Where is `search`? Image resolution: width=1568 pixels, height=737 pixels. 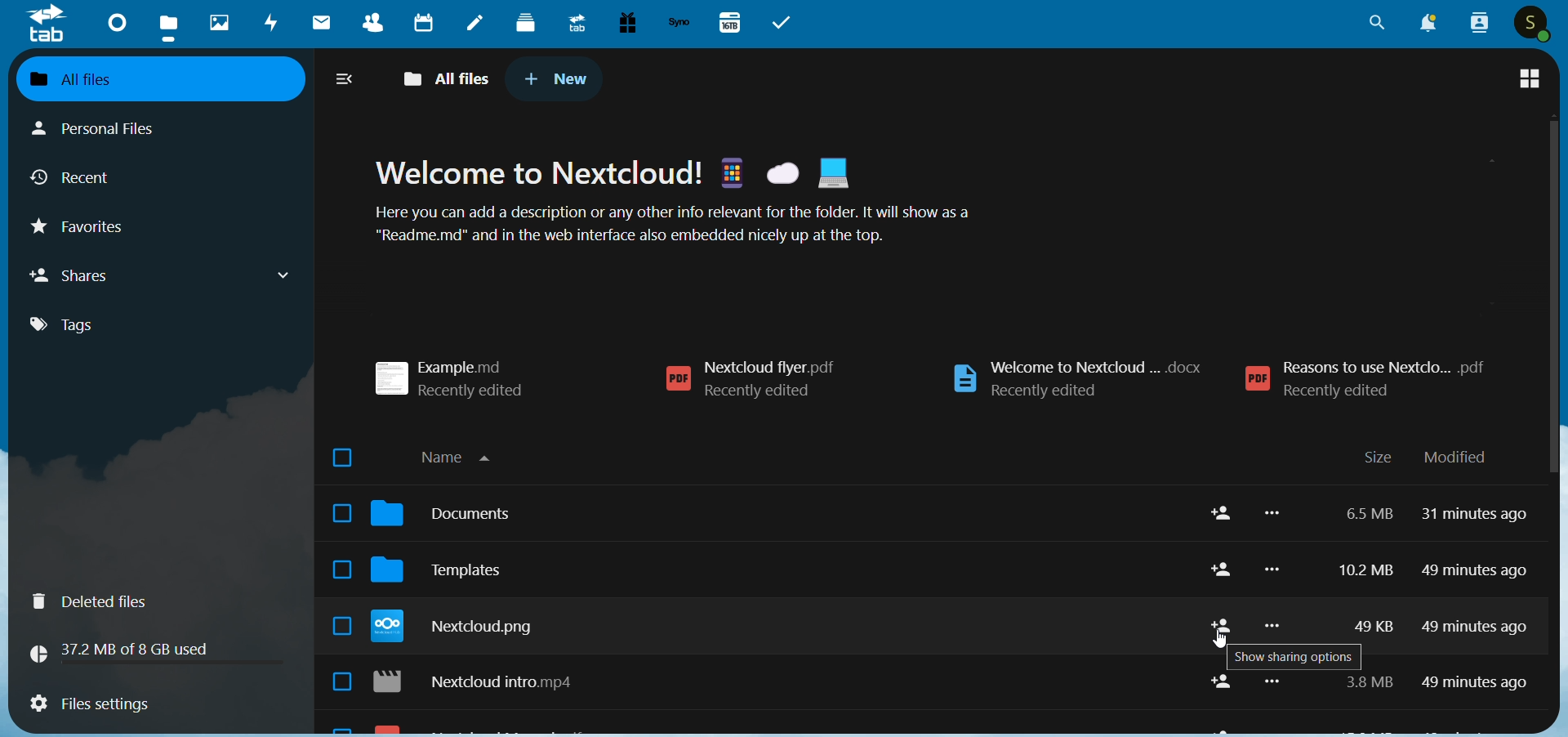
search is located at coordinates (1380, 24).